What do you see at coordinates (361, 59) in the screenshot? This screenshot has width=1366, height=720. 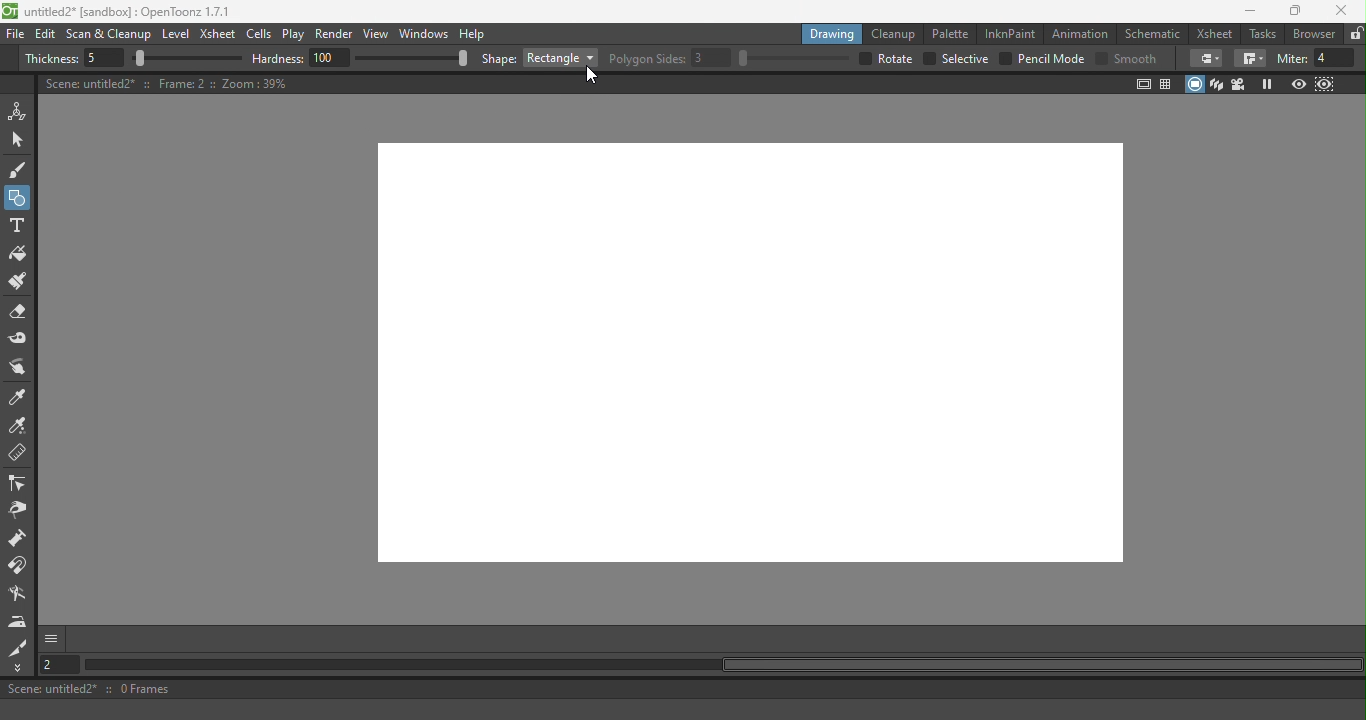 I see `Hardness` at bounding box center [361, 59].